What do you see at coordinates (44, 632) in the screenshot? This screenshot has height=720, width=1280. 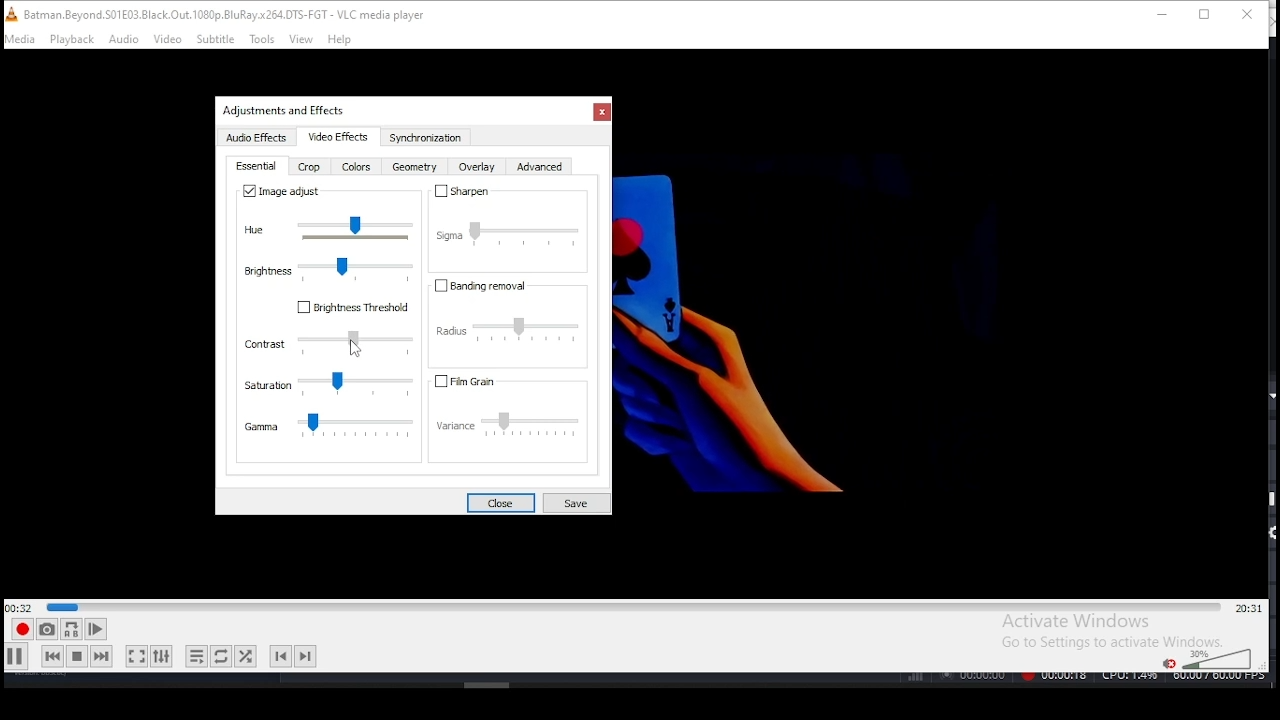 I see `take snapshot` at bounding box center [44, 632].